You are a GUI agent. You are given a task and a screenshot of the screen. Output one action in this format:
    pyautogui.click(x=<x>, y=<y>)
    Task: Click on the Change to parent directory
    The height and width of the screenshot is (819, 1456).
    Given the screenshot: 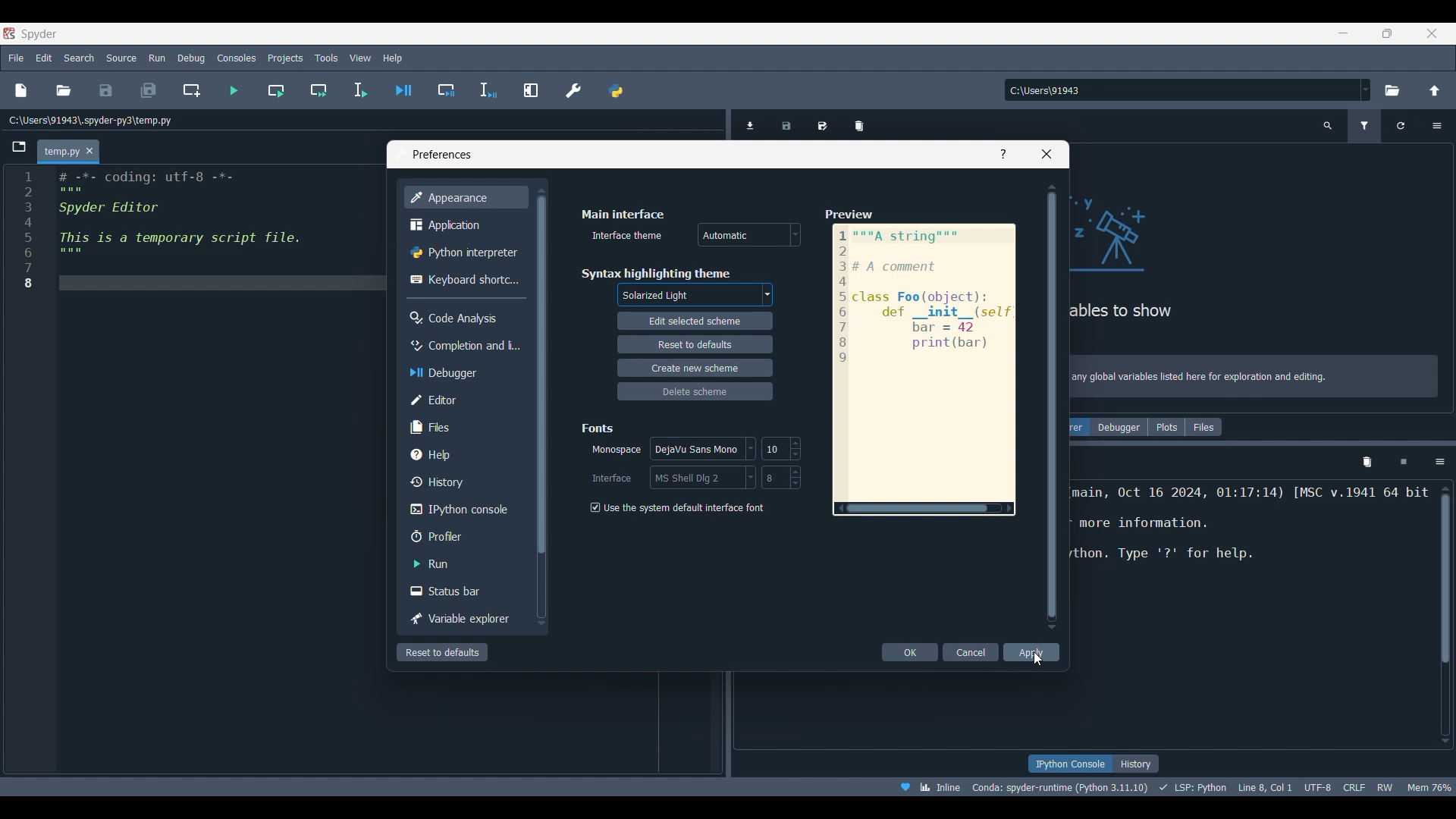 What is the action you would take?
    pyautogui.click(x=1435, y=90)
    